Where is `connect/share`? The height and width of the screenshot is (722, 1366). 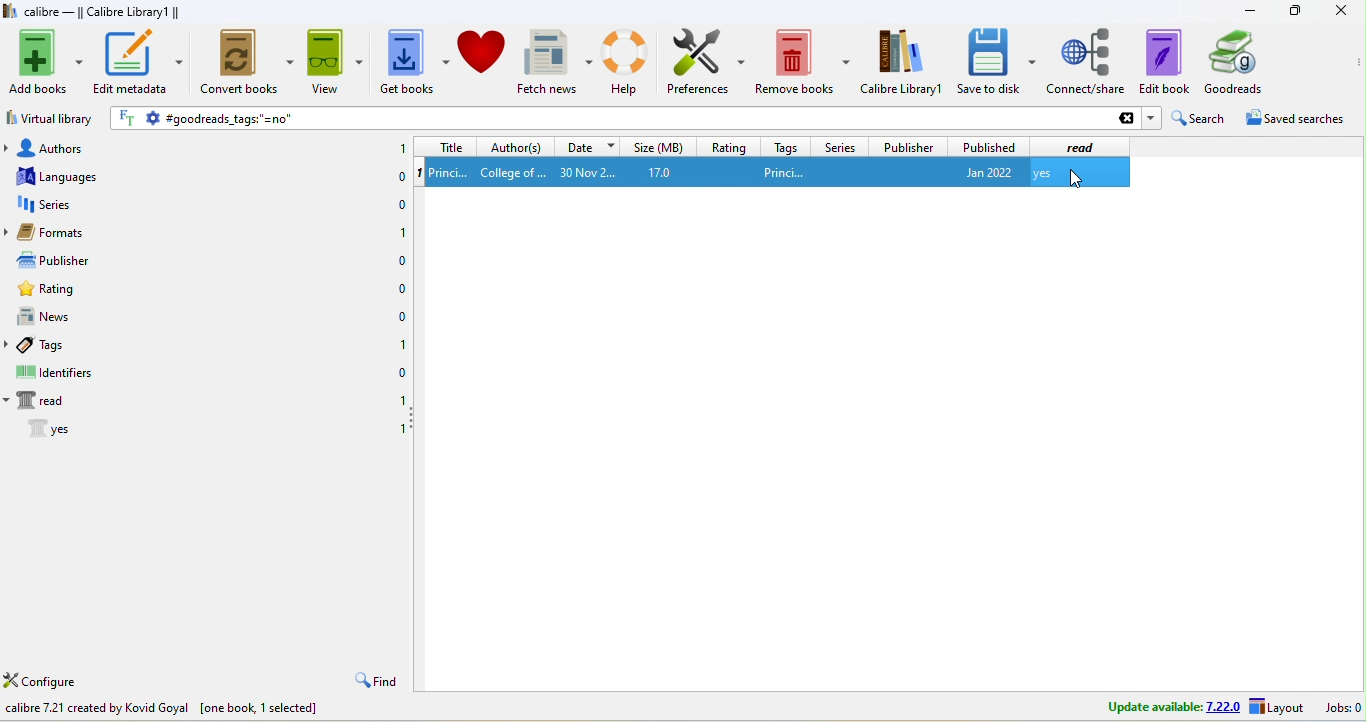 connect/share is located at coordinates (1087, 62).